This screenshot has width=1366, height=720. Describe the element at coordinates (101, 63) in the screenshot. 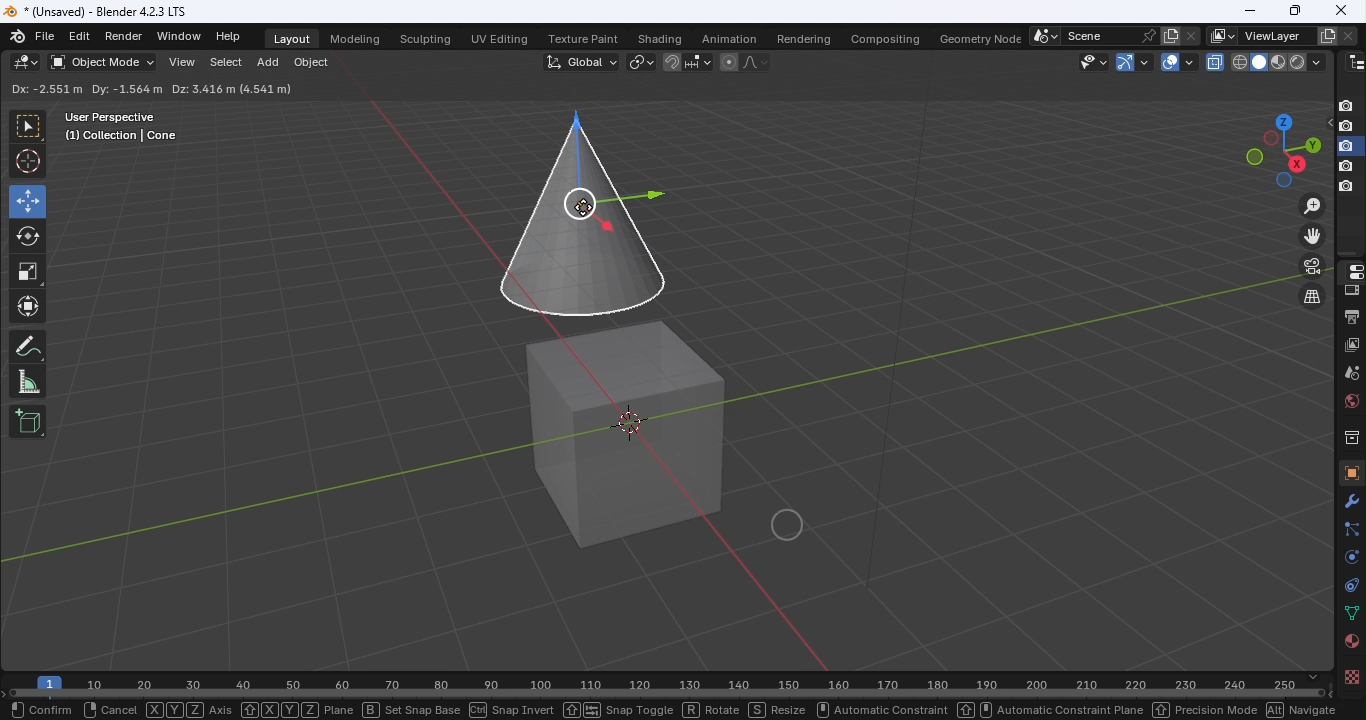

I see `Sets the objects interaction mode` at that location.